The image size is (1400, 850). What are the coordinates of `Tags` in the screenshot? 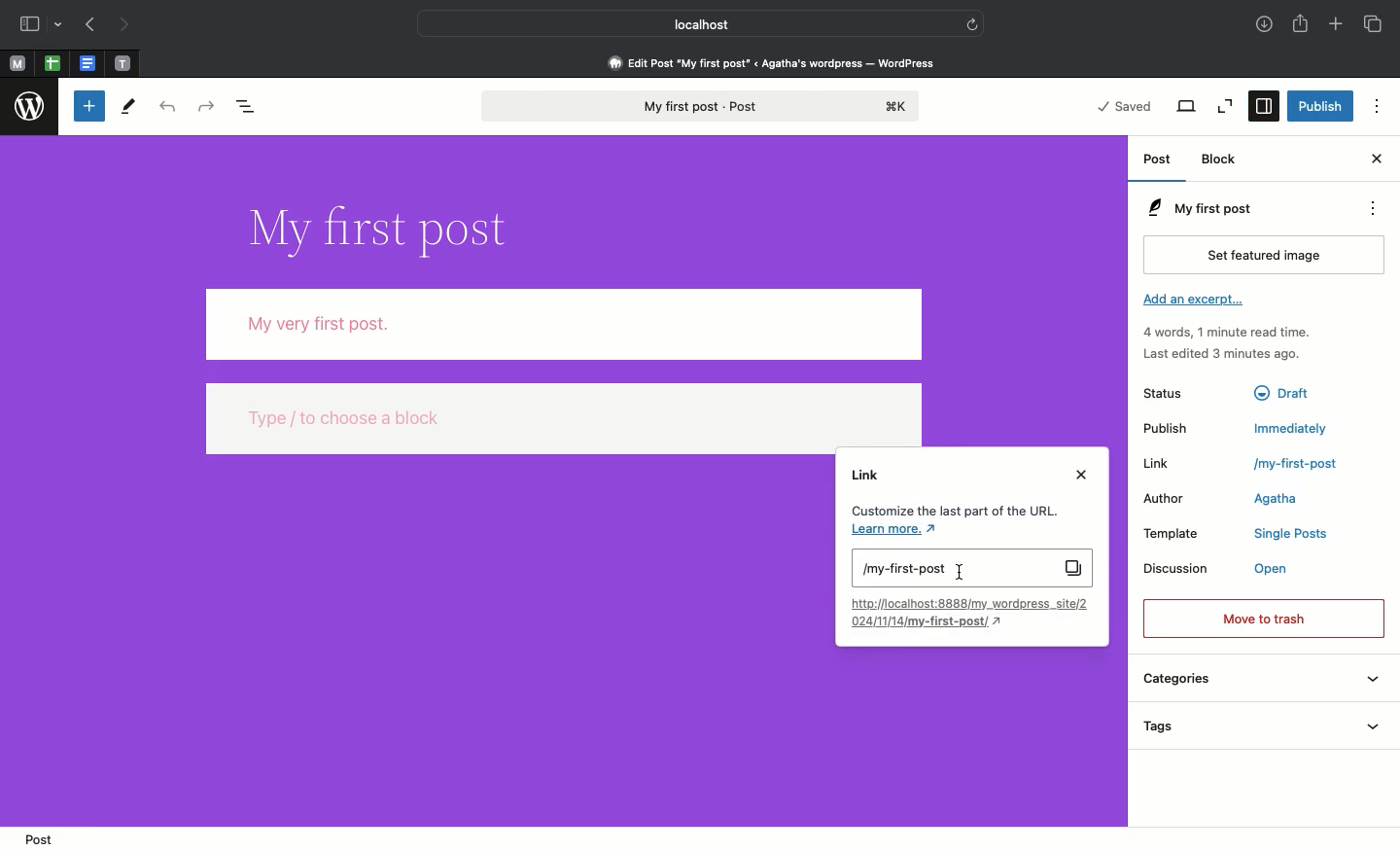 It's located at (1267, 724).